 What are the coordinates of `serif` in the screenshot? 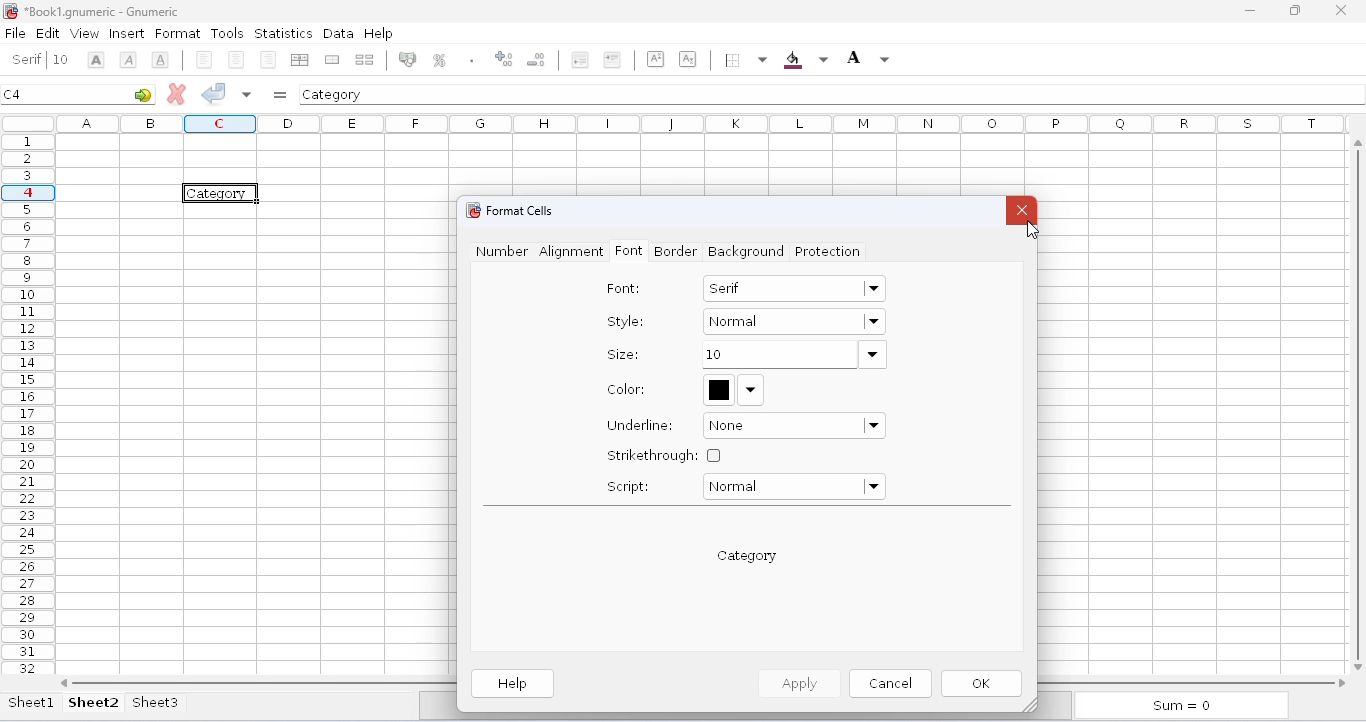 It's located at (795, 287).